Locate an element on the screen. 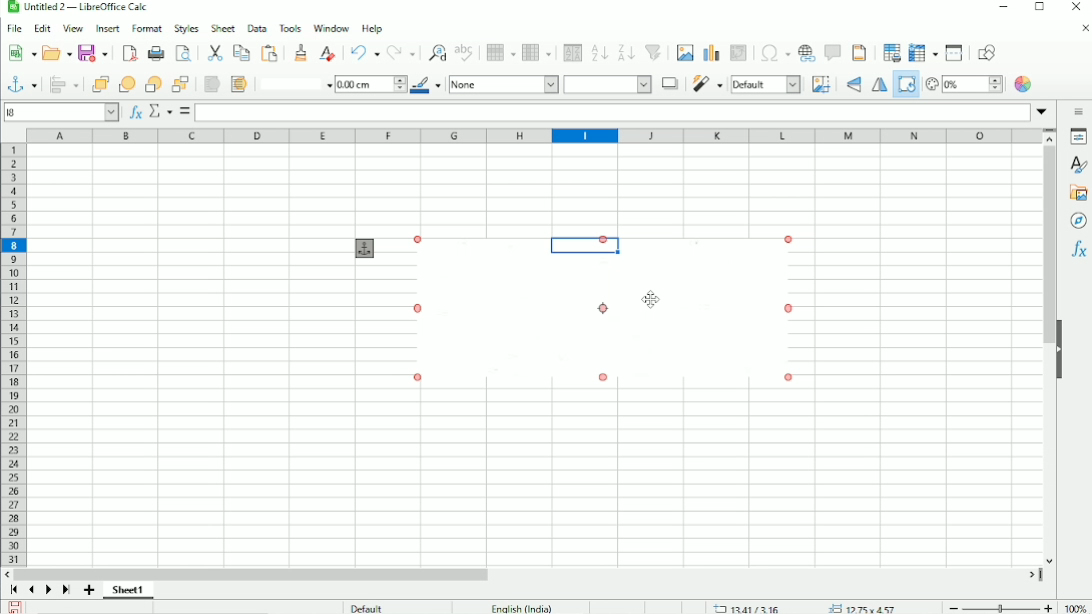 The height and width of the screenshot is (614, 1092). Navigator is located at coordinates (1079, 222).